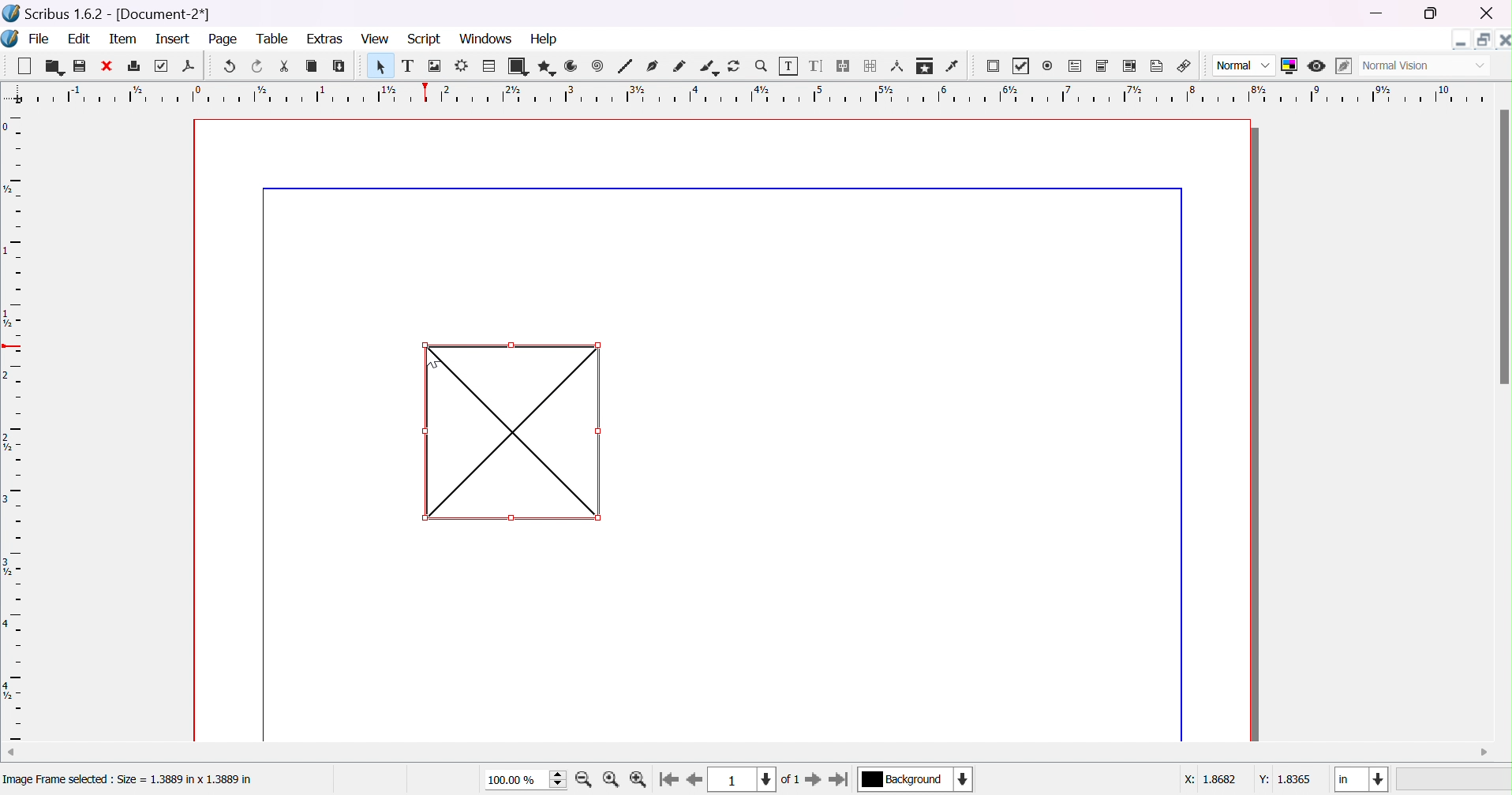 The height and width of the screenshot is (795, 1512). Describe the element at coordinates (517, 66) in the screenshot. I see `shape` at that location.